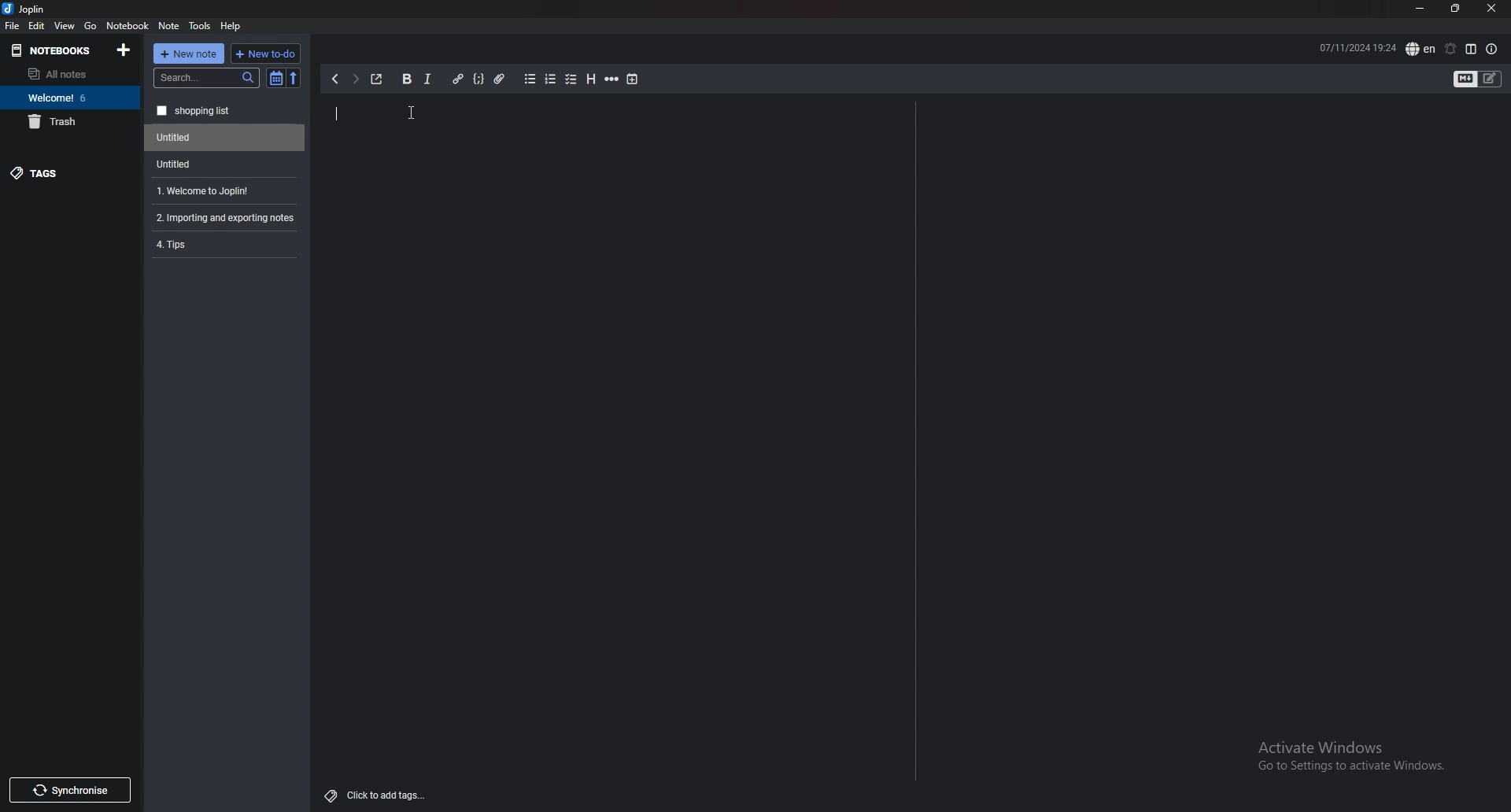  Describe the element at coordinates (221, 164) in the screenshot. I see `Untitled` at that location.